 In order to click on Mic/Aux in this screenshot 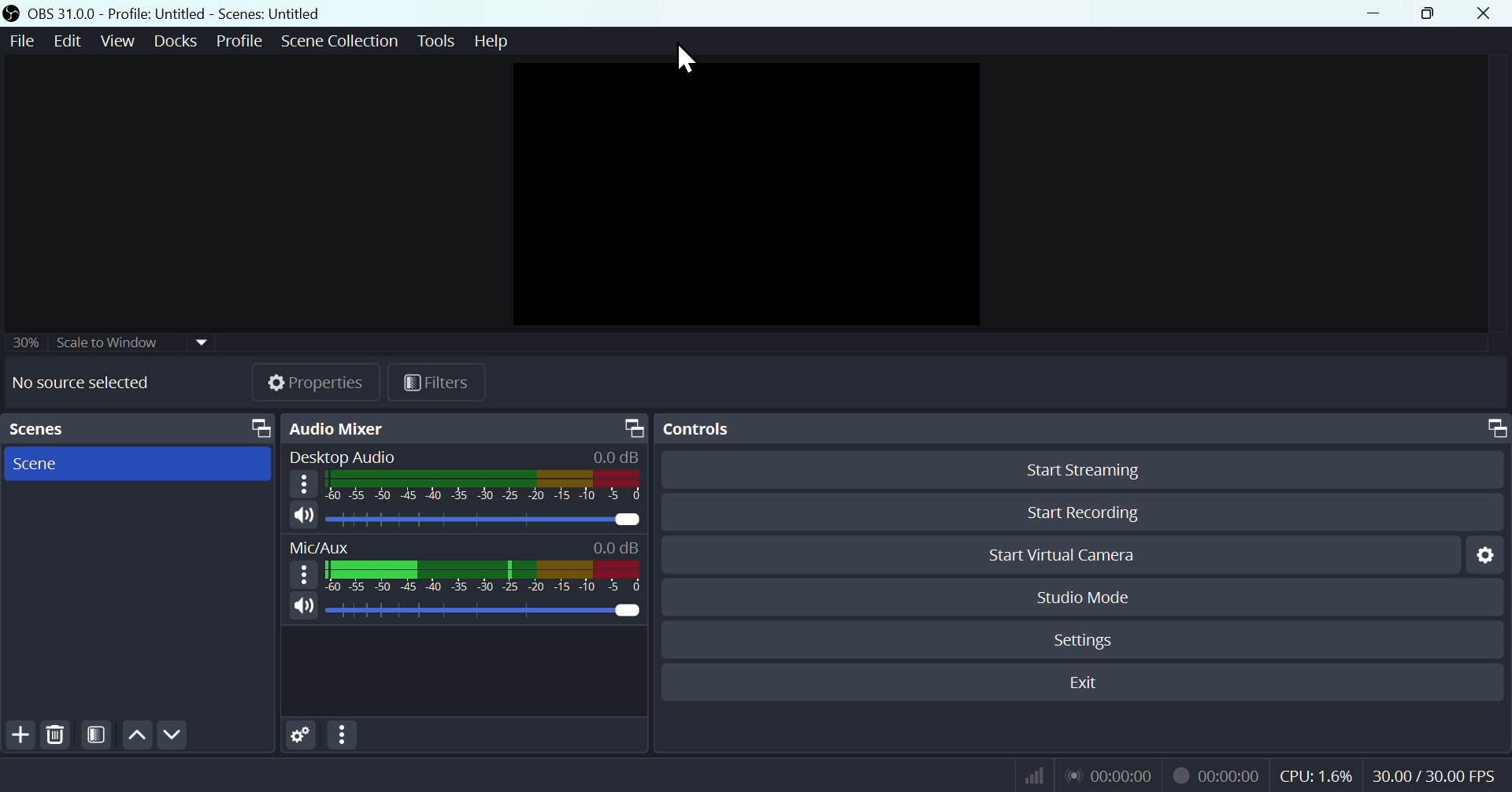, I will do `click(485, 611)`.